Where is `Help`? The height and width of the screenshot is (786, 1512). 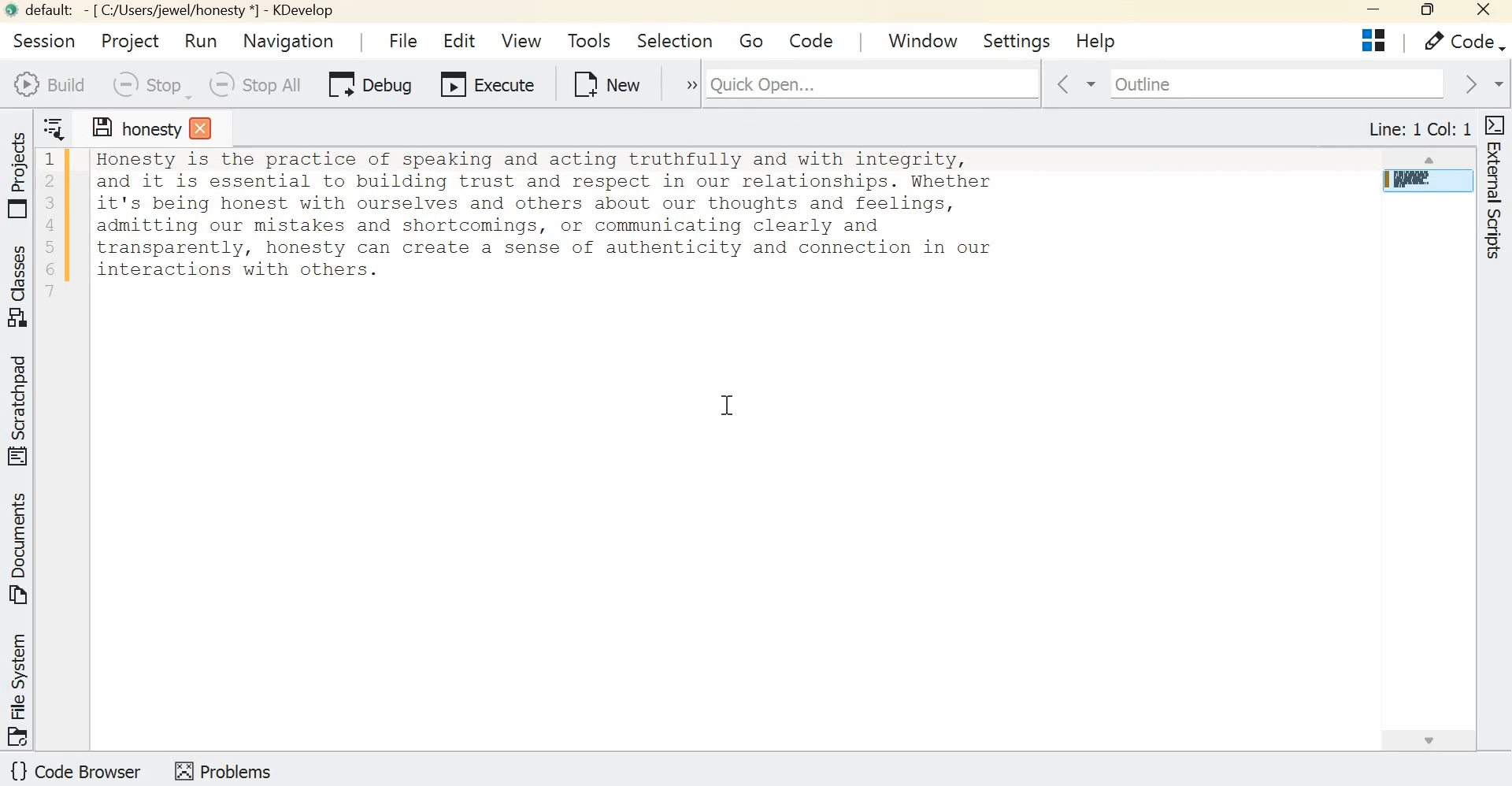 Help is located at coordinates (1097, 43).